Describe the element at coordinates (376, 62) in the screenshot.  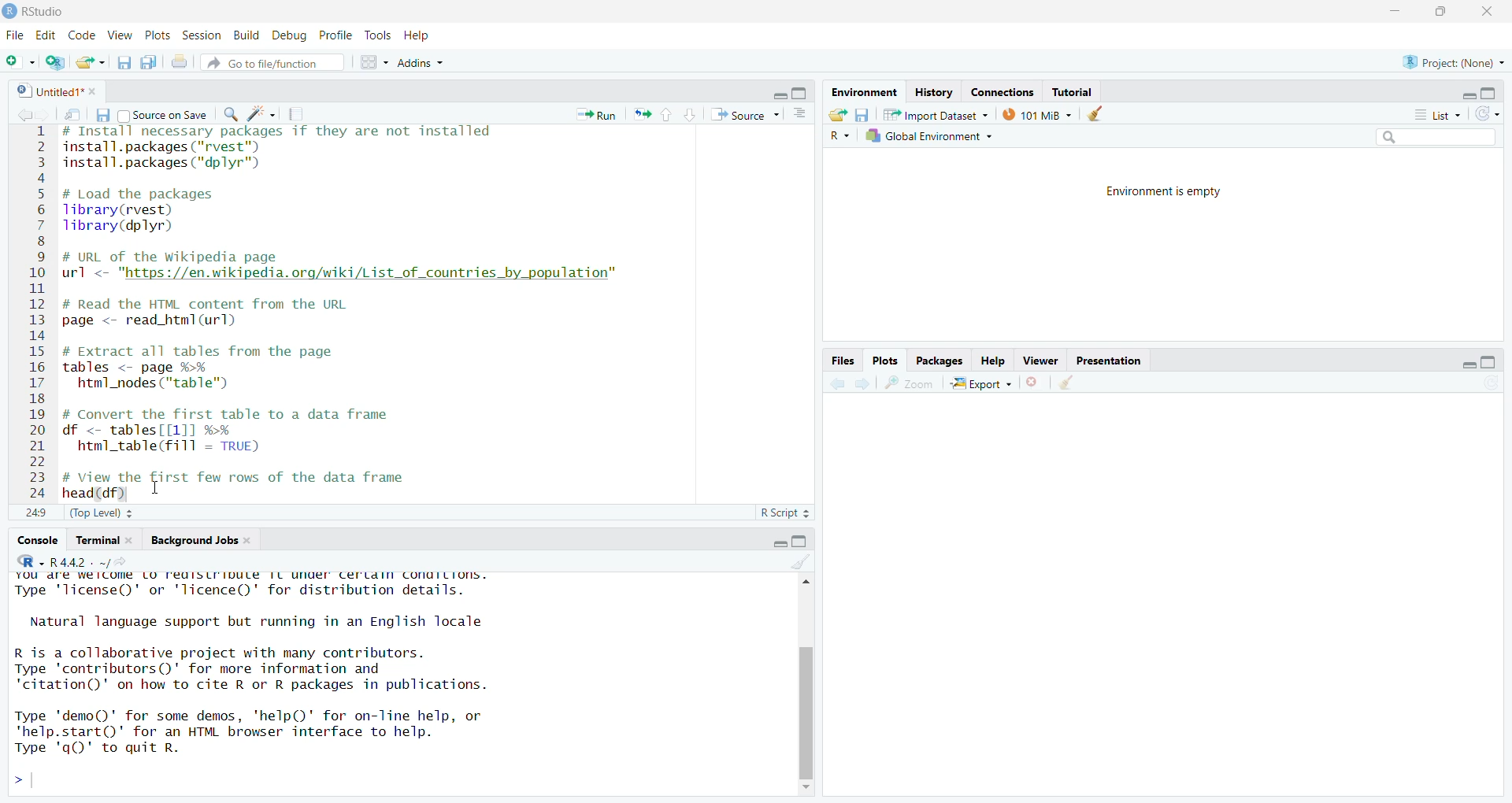
I see `options` at that location.